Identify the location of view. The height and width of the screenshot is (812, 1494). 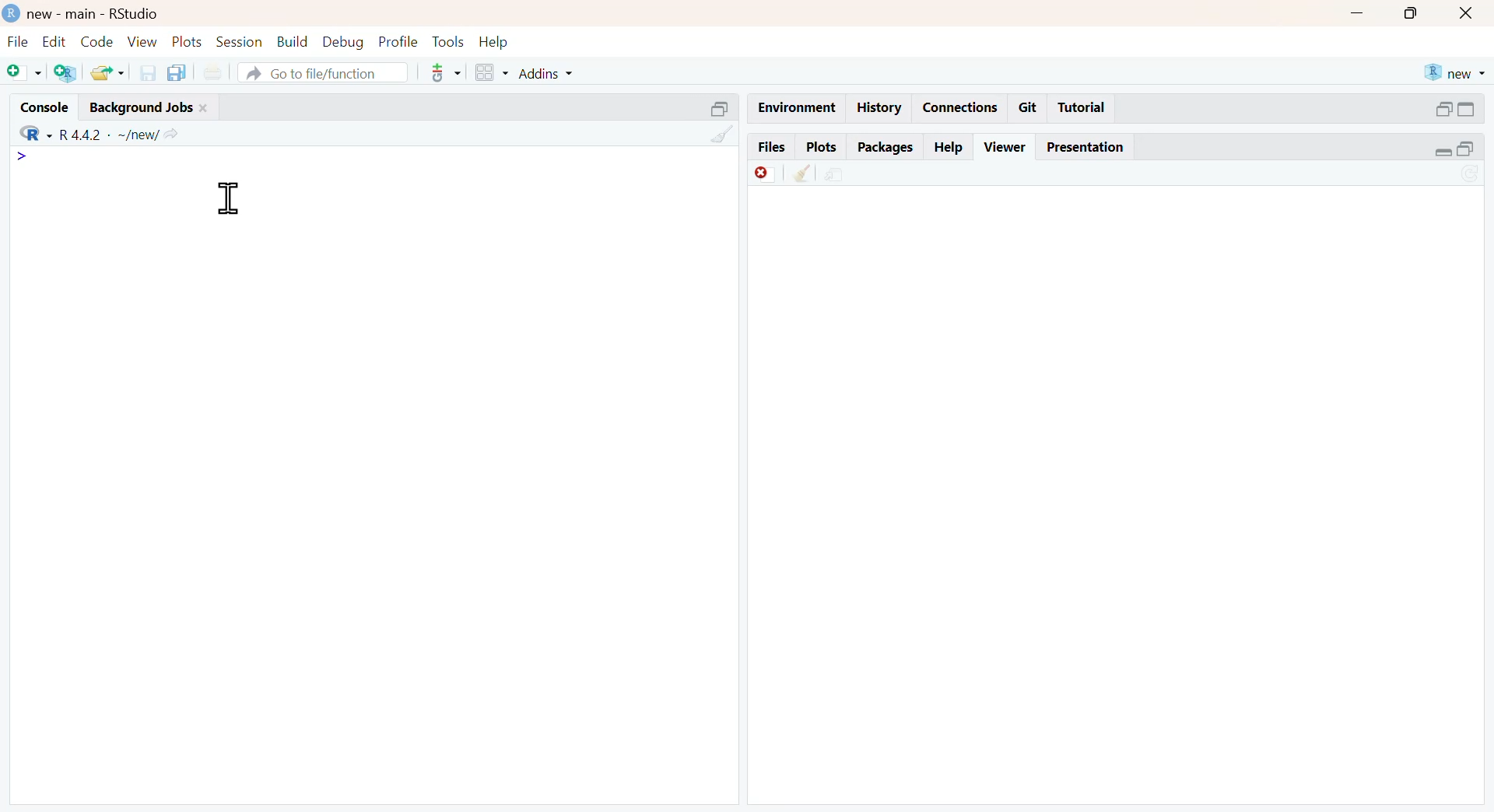
(143, 40).